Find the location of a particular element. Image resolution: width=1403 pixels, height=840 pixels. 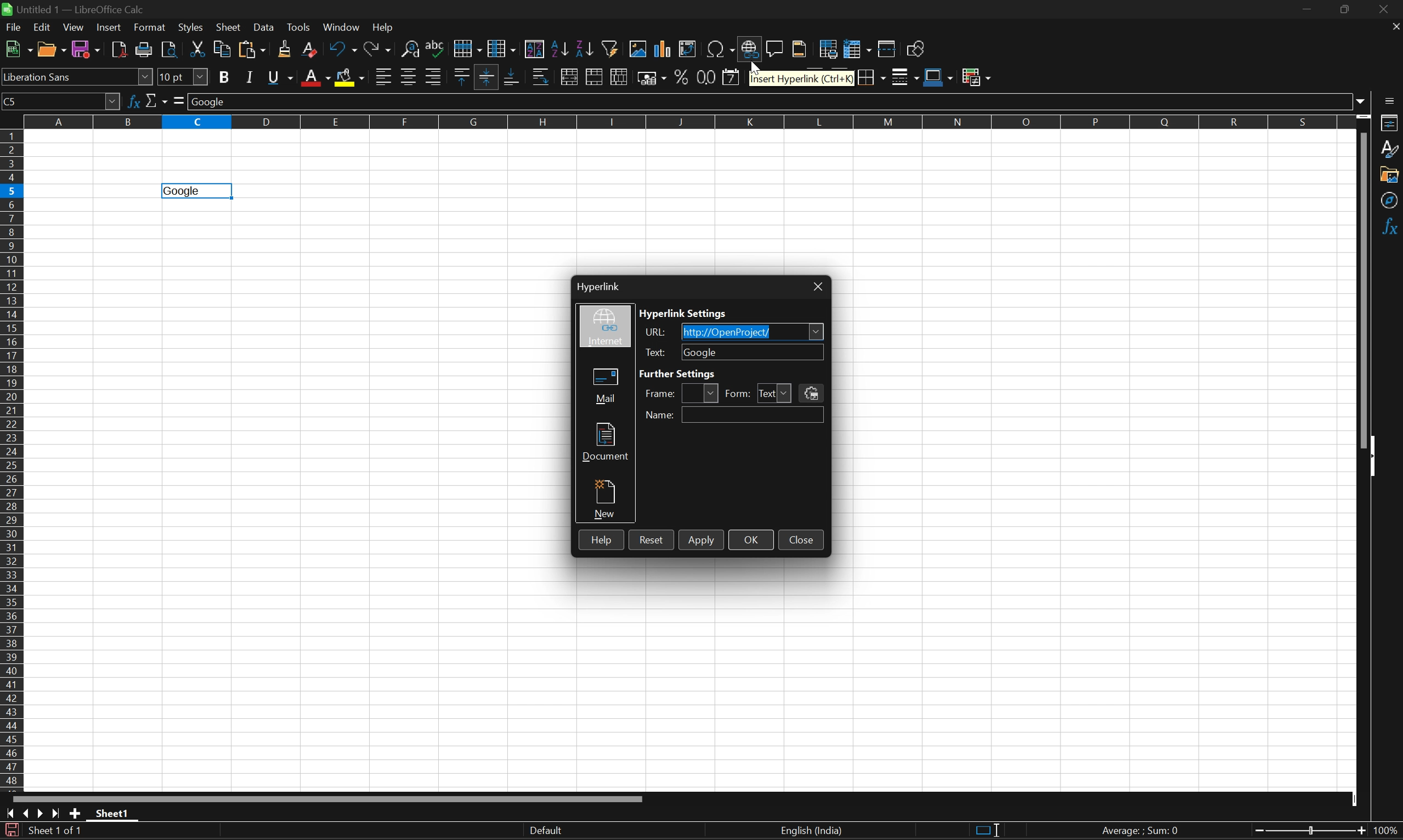

Border style is located at coordinates (906, 76).